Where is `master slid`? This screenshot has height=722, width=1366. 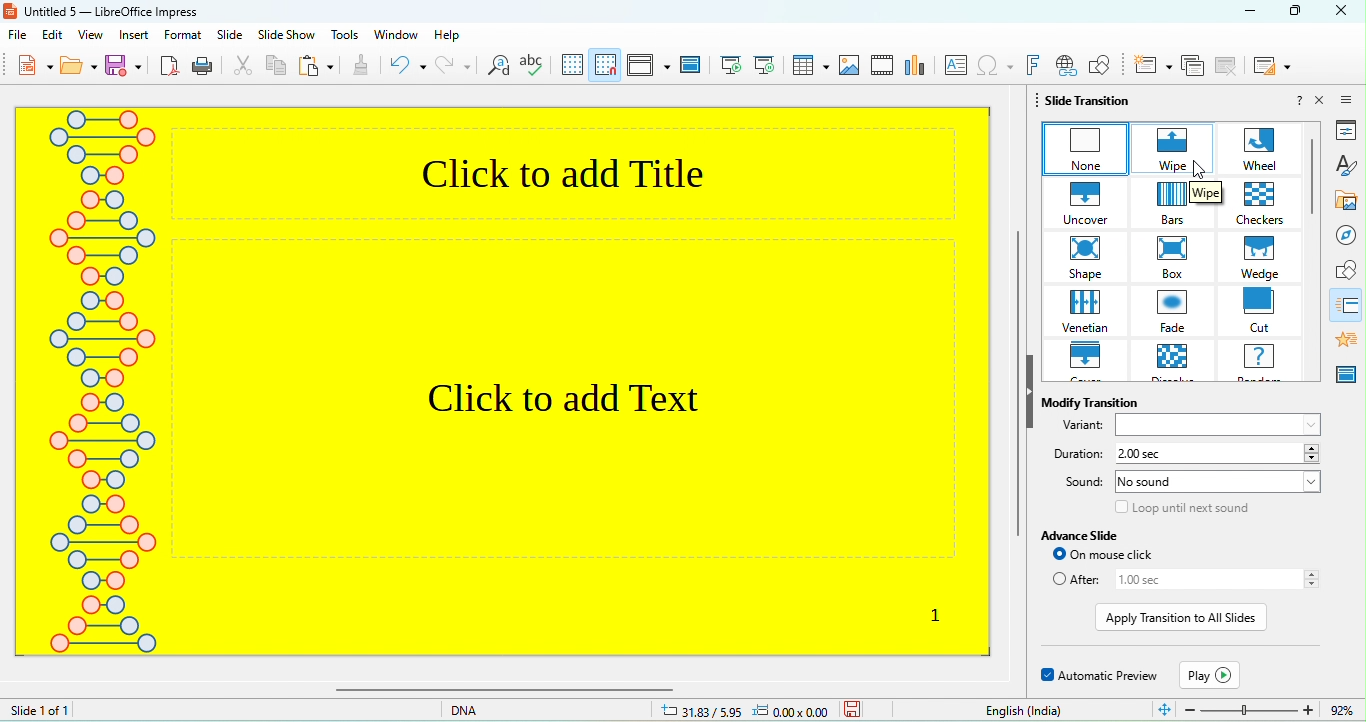
master slid is located at coordinates (694, 68).